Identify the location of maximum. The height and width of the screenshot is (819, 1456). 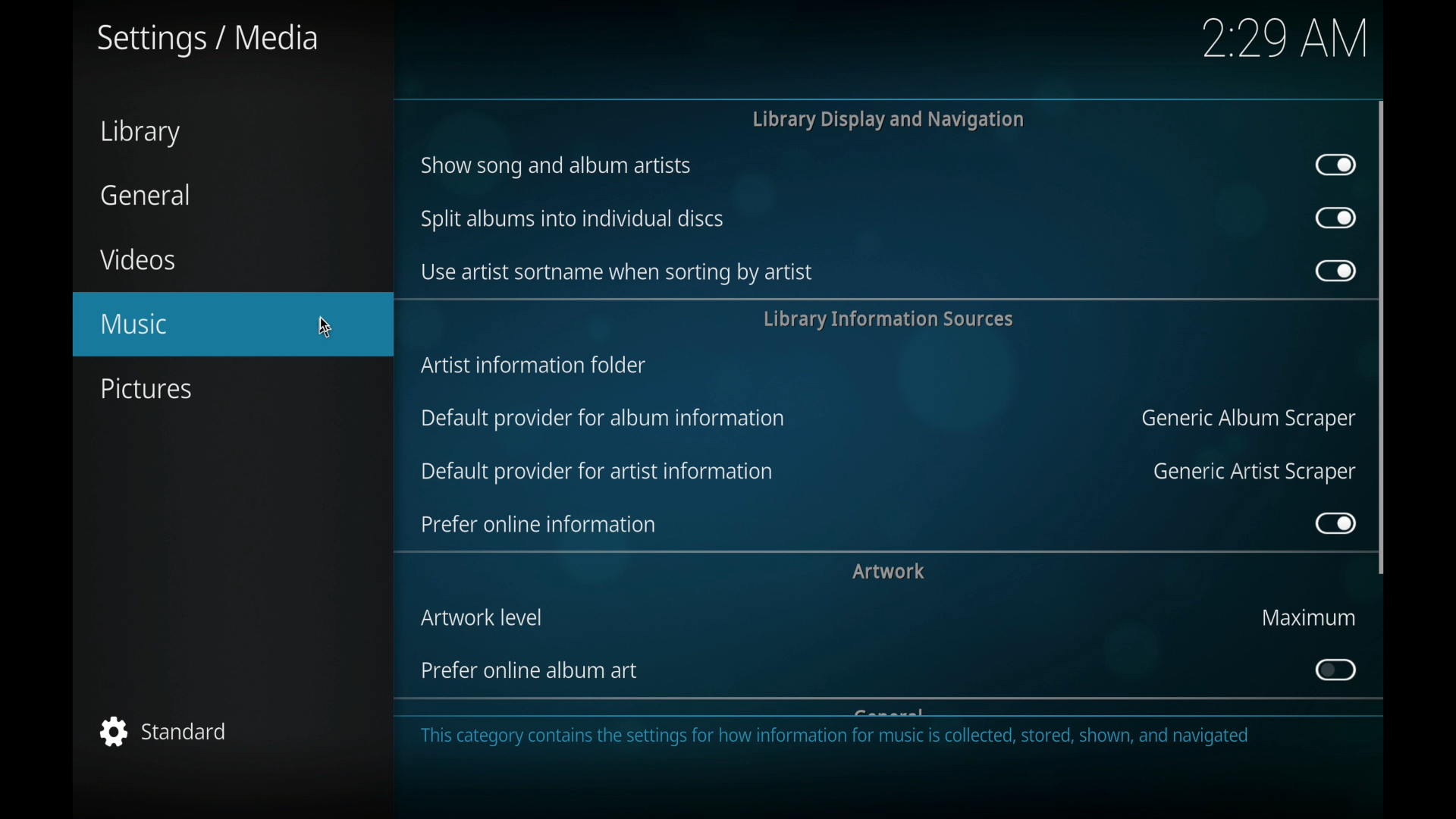
(1305, 618).